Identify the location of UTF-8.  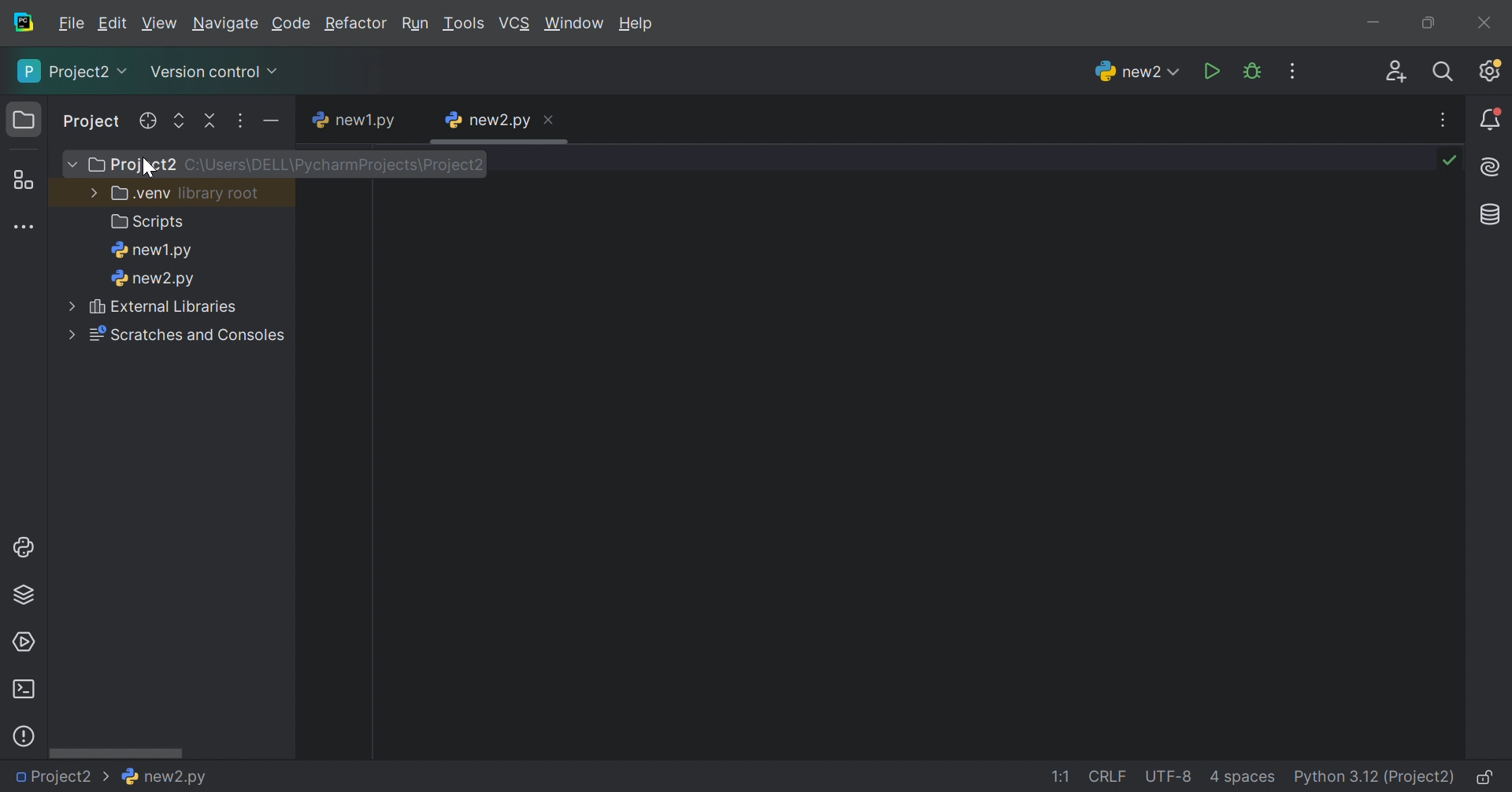
(1170, 776).